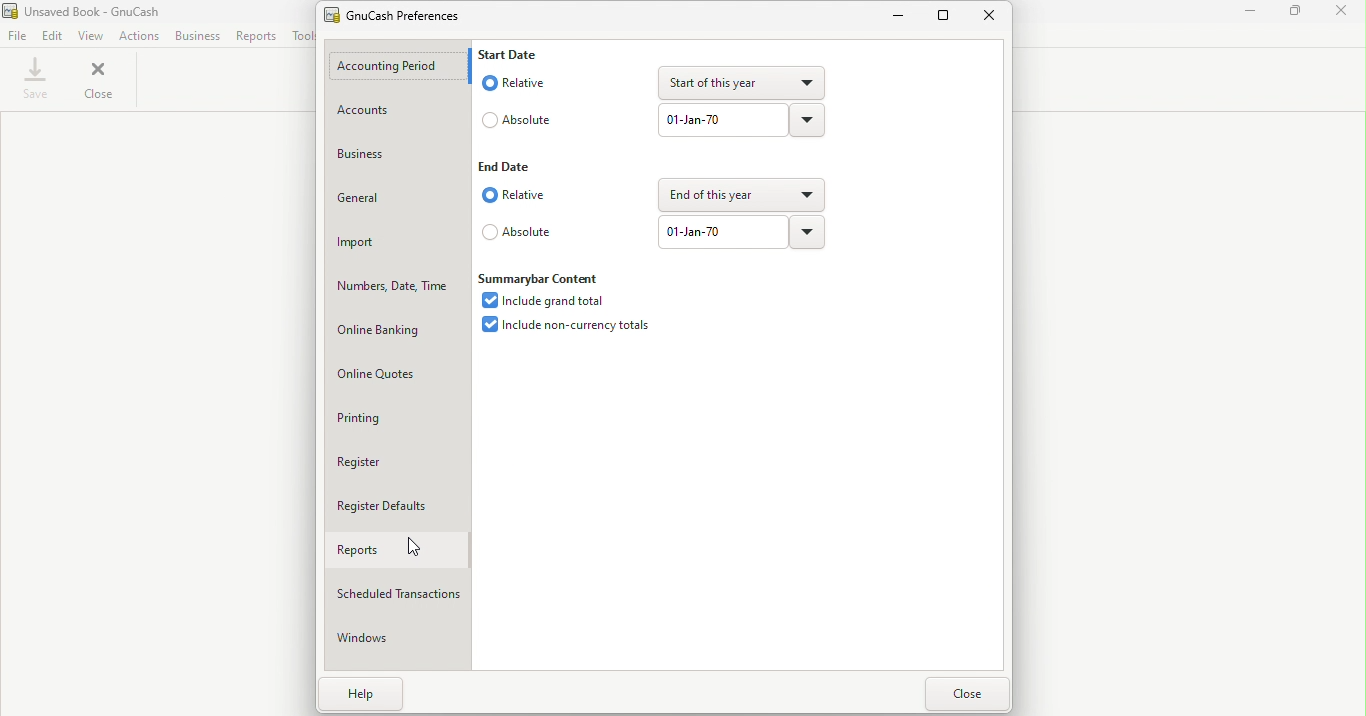 The width and height of the screenshot is (1366, 716). I want to click on Tools, so click(300, 36).